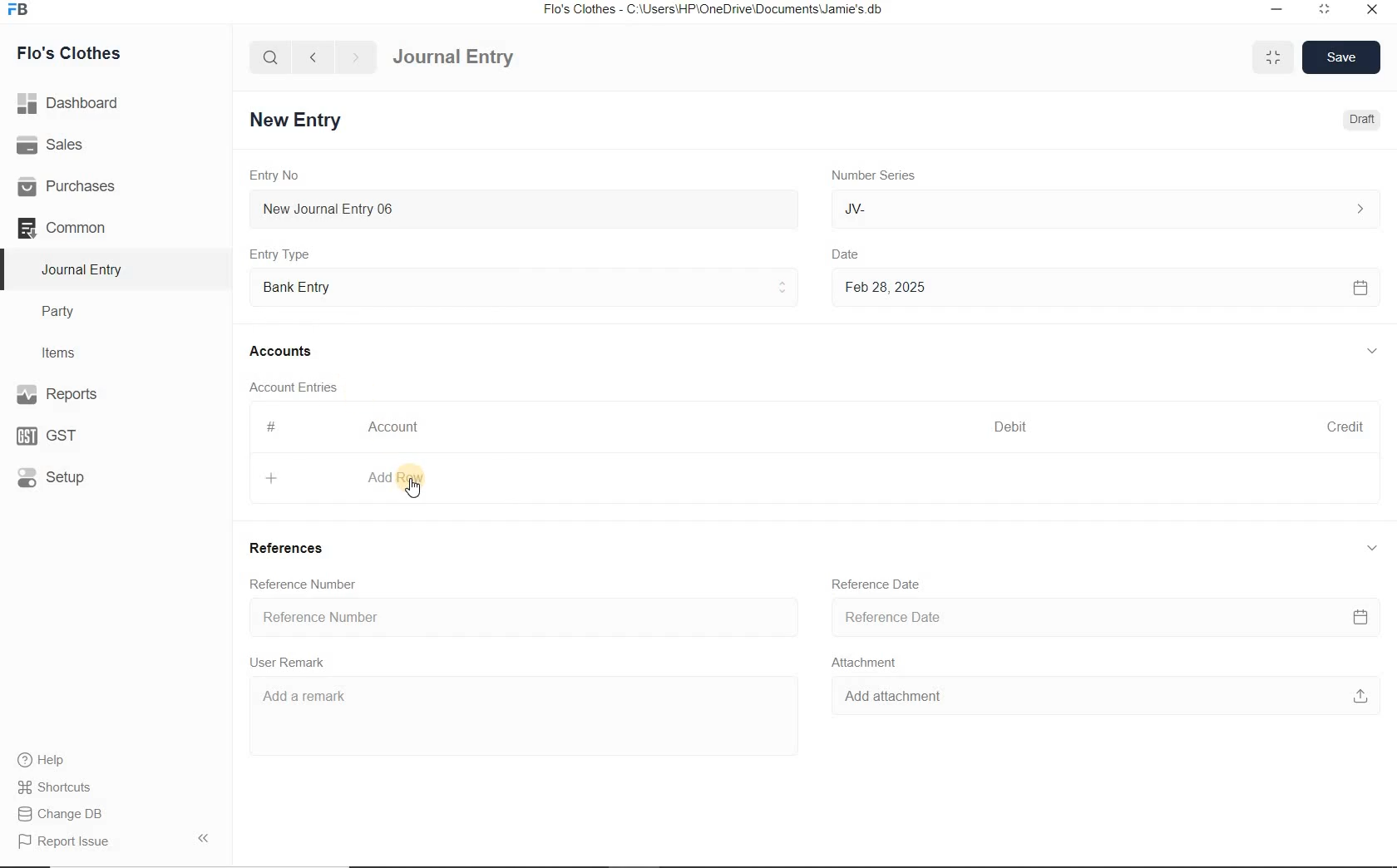  What do you see at coordinates (74, 101) in the screenshot?
I see `Dashboard` at bounding box center [74, 101].